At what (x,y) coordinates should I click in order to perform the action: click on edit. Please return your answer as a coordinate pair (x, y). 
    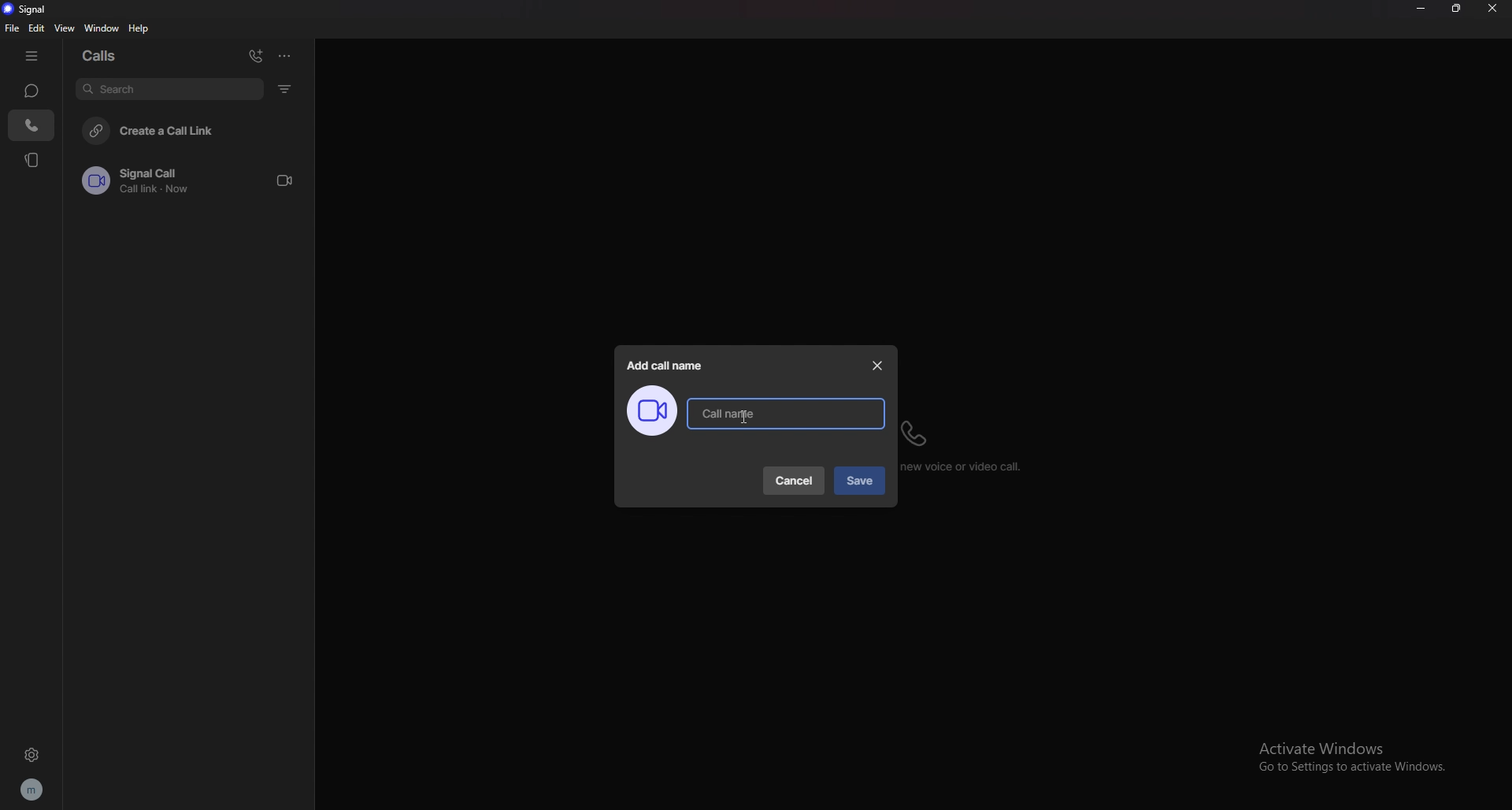
    Looking at the image, I should click on (37, 28).